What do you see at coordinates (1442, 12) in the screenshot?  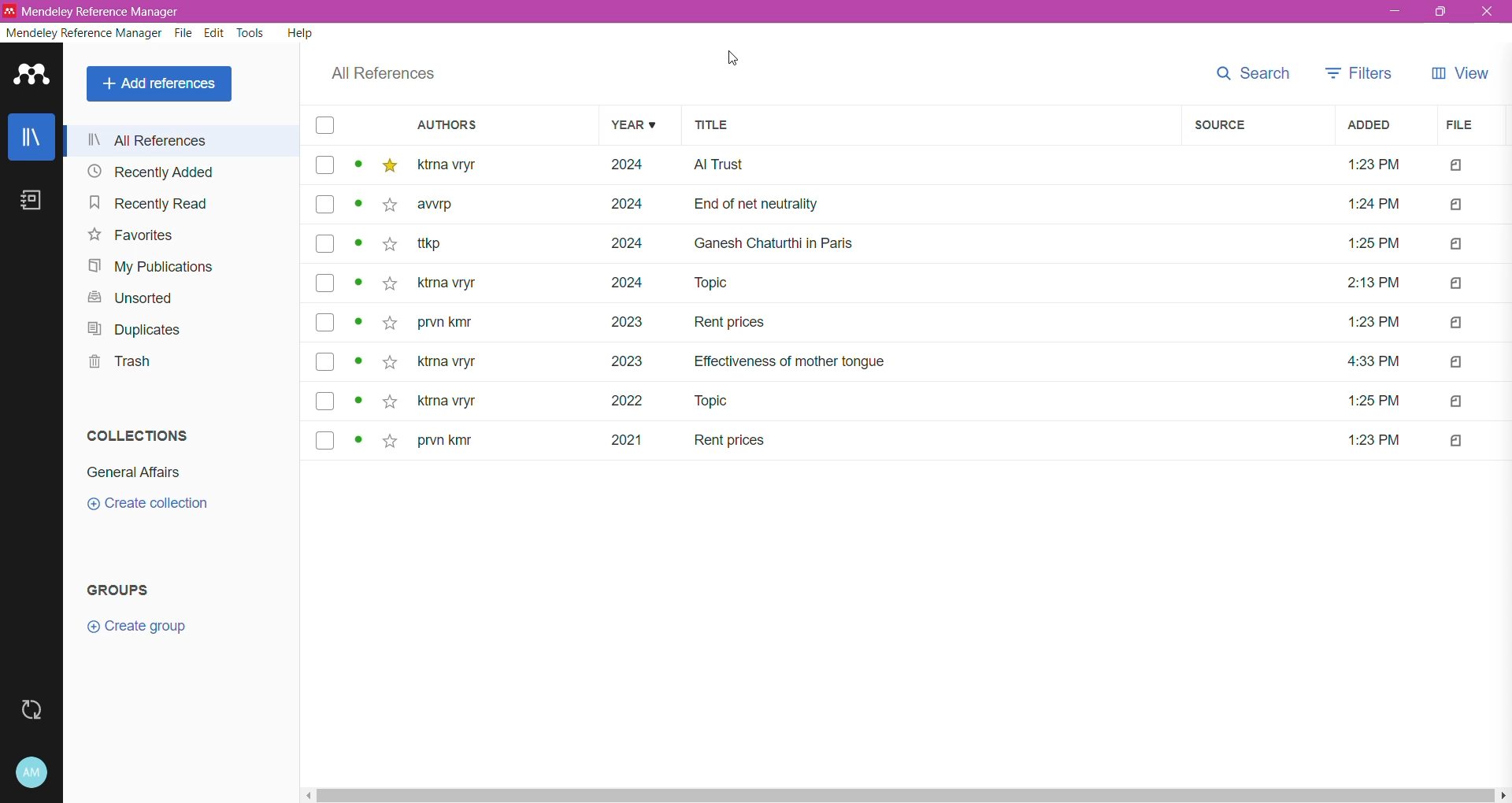 I see `Restore Down` at bounding box center [1442, 12].